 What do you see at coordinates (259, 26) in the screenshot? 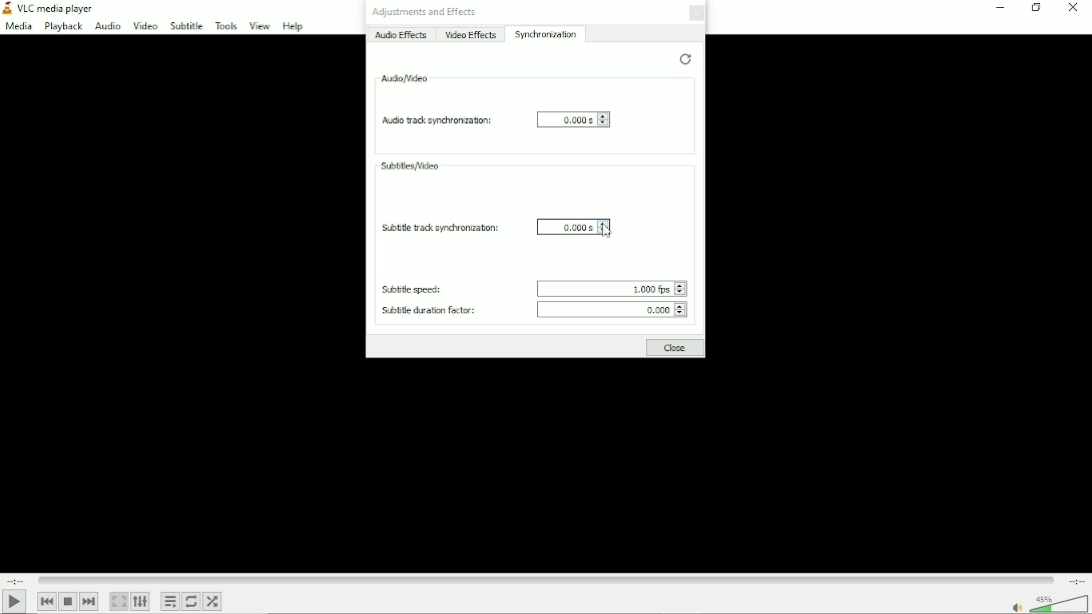
I see `View` at bounding box center [259, 26].